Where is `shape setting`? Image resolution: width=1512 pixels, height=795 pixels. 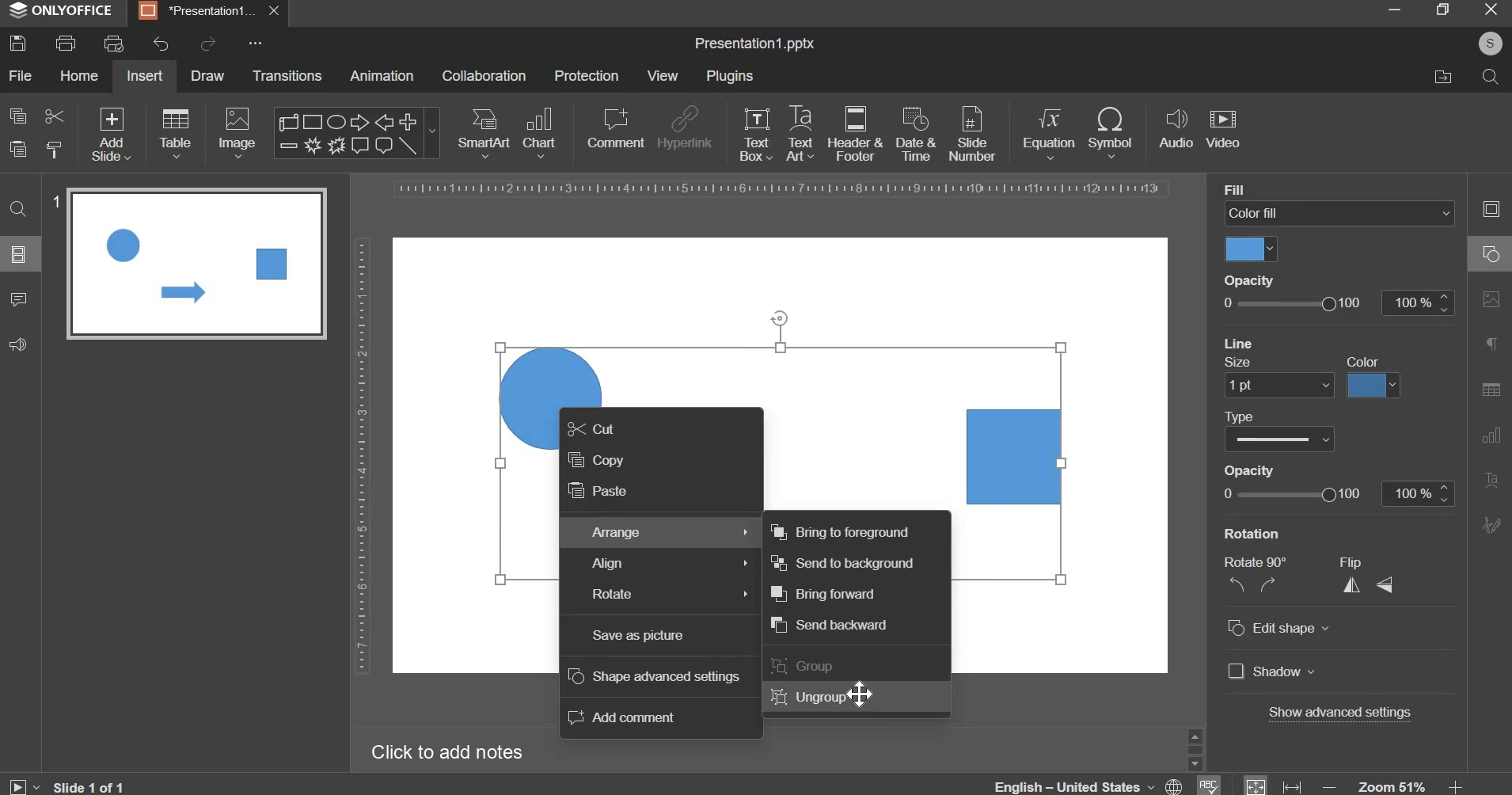 shape setting is located at coordinates (1492, 252).